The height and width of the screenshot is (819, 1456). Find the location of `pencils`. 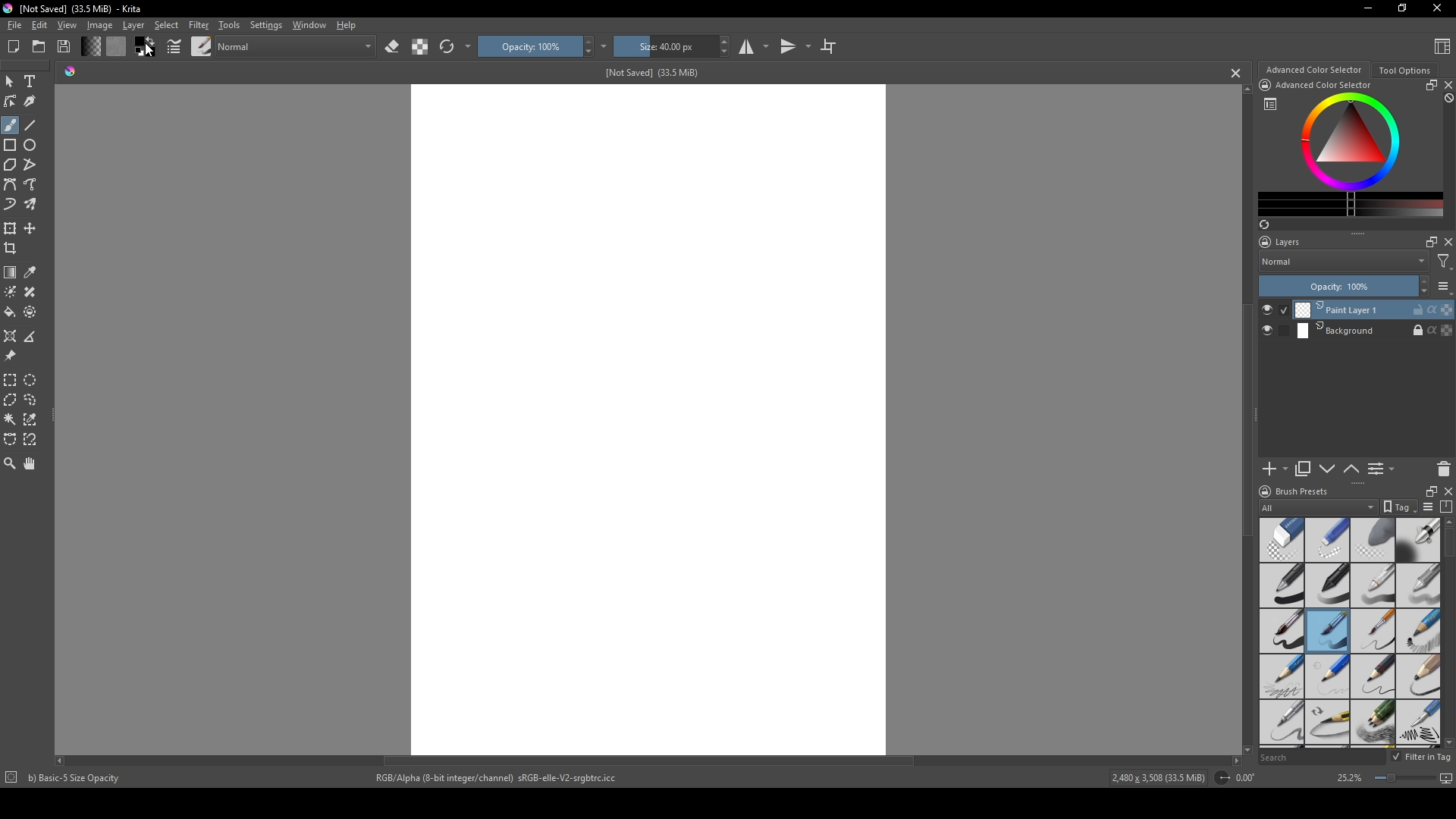

pencils is located at coordinates (1372, 723).